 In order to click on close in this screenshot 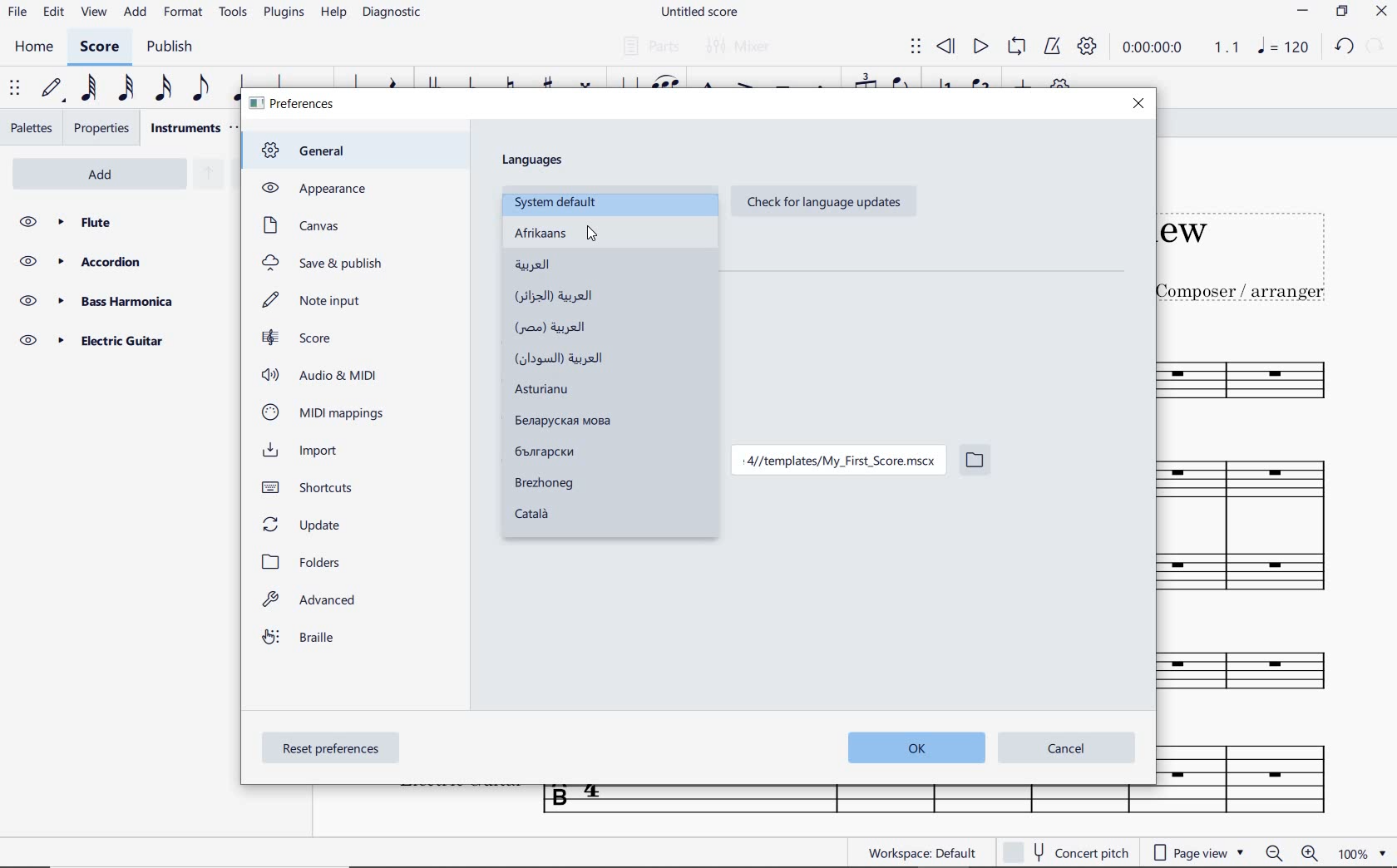, I will do `click(1138, 104)`.